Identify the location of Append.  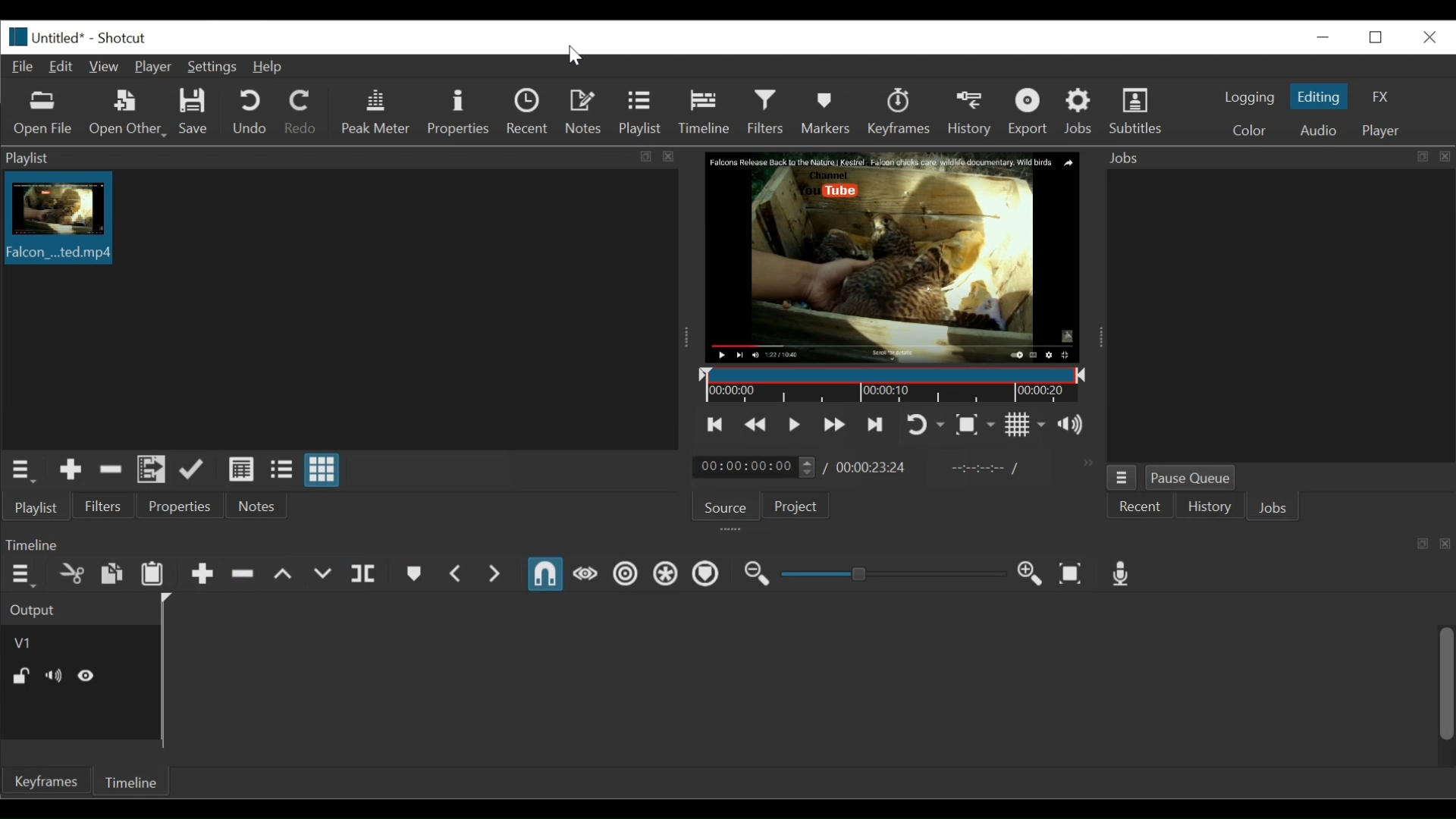
(202, 575).